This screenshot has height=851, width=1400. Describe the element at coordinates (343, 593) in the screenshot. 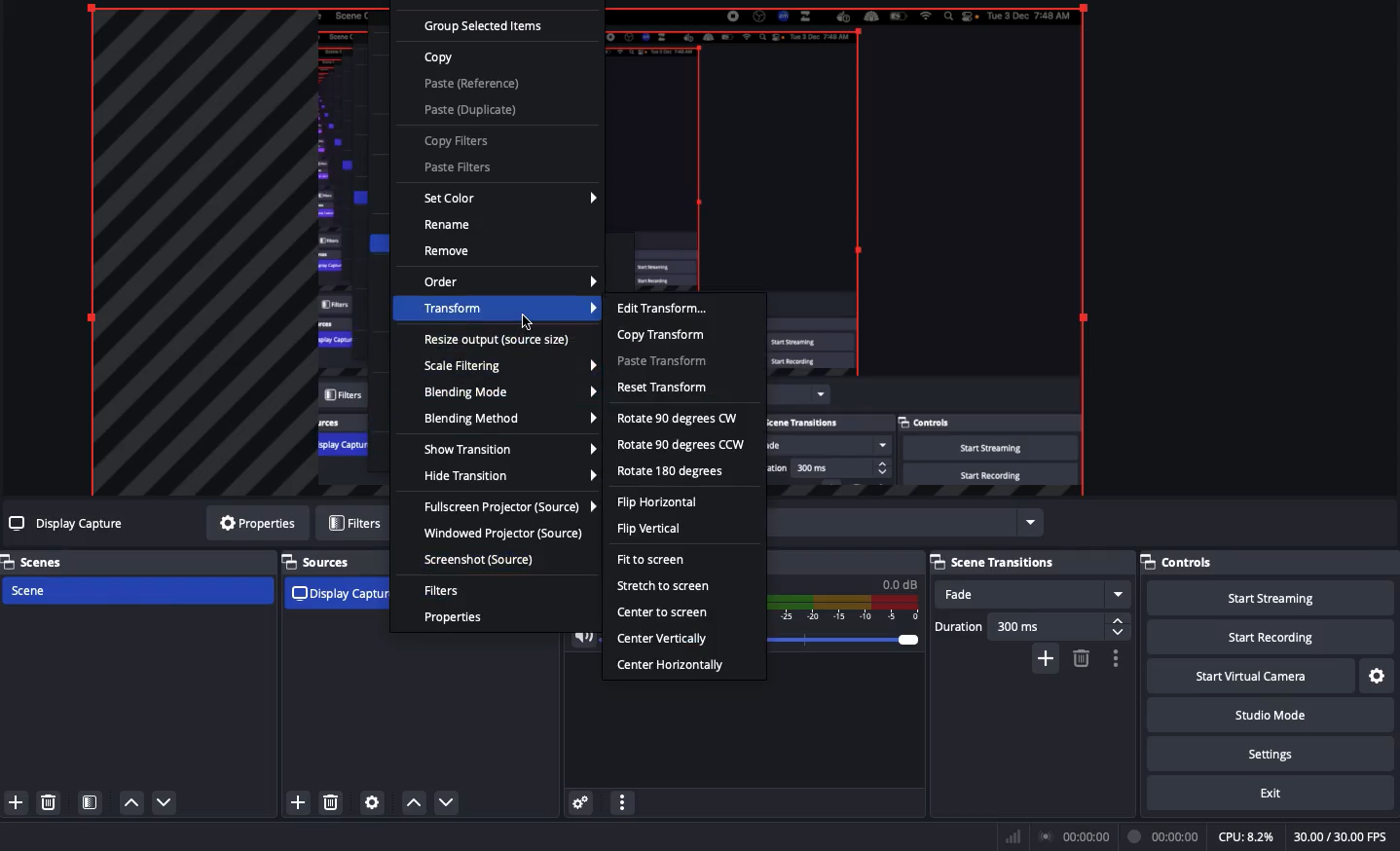

I see `Display capture` at that location.